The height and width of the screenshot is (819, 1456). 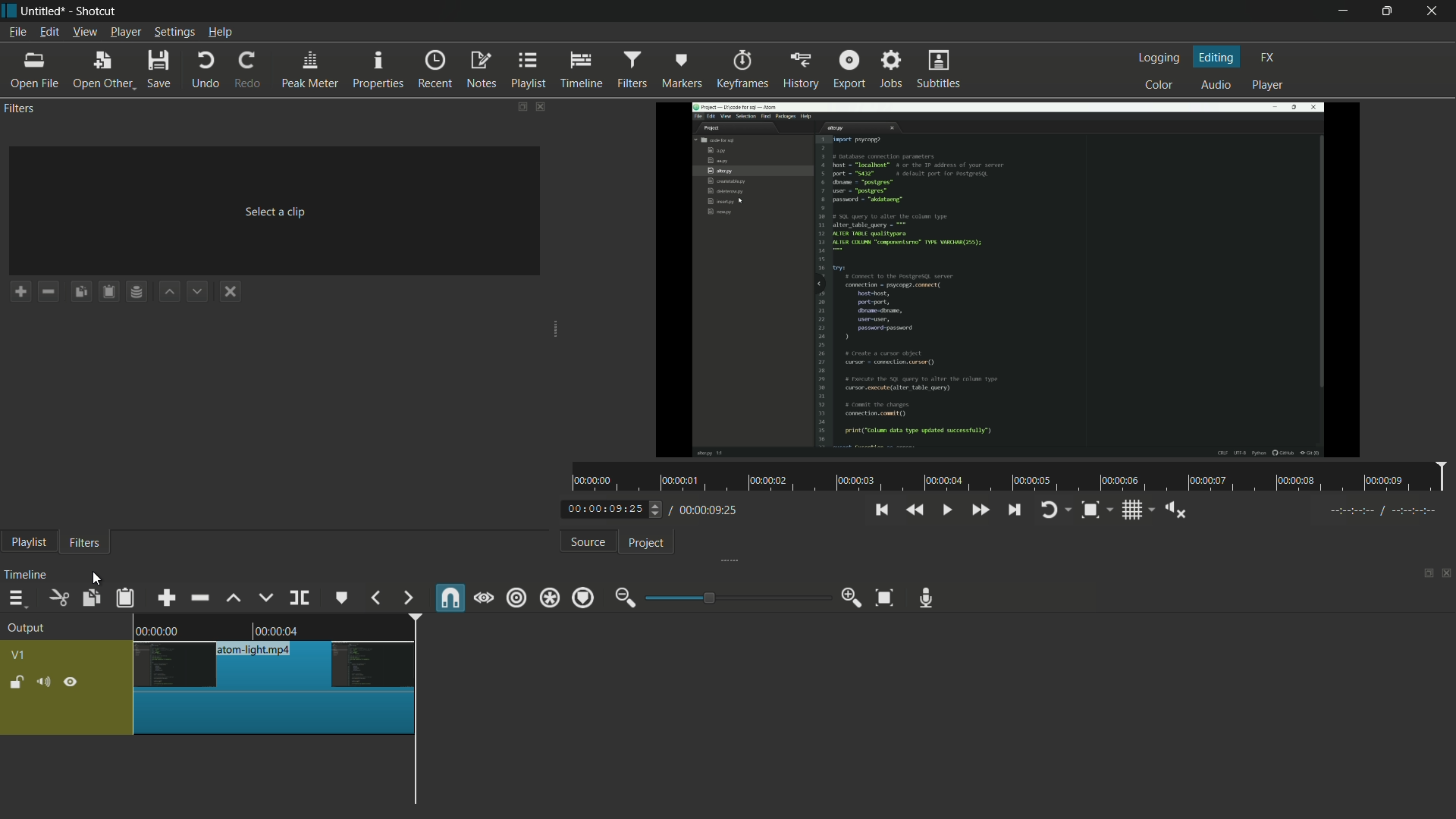 What do you see at coordinates (60, 598) in the screenshot?
I see `cut` at bounding box center [60, 598].